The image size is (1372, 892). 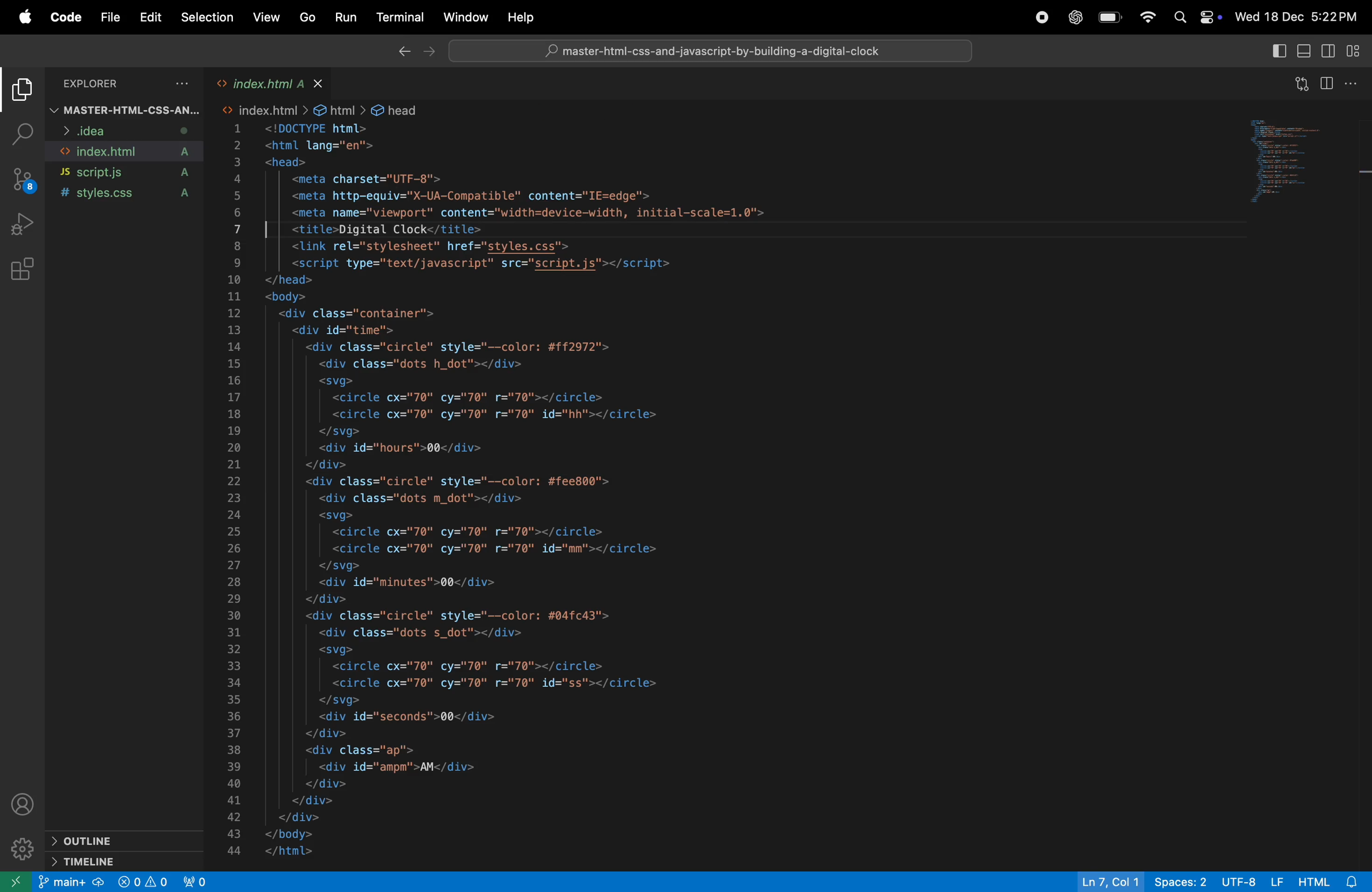 I want to click on primary side bar, so click(x=1276, y=52).